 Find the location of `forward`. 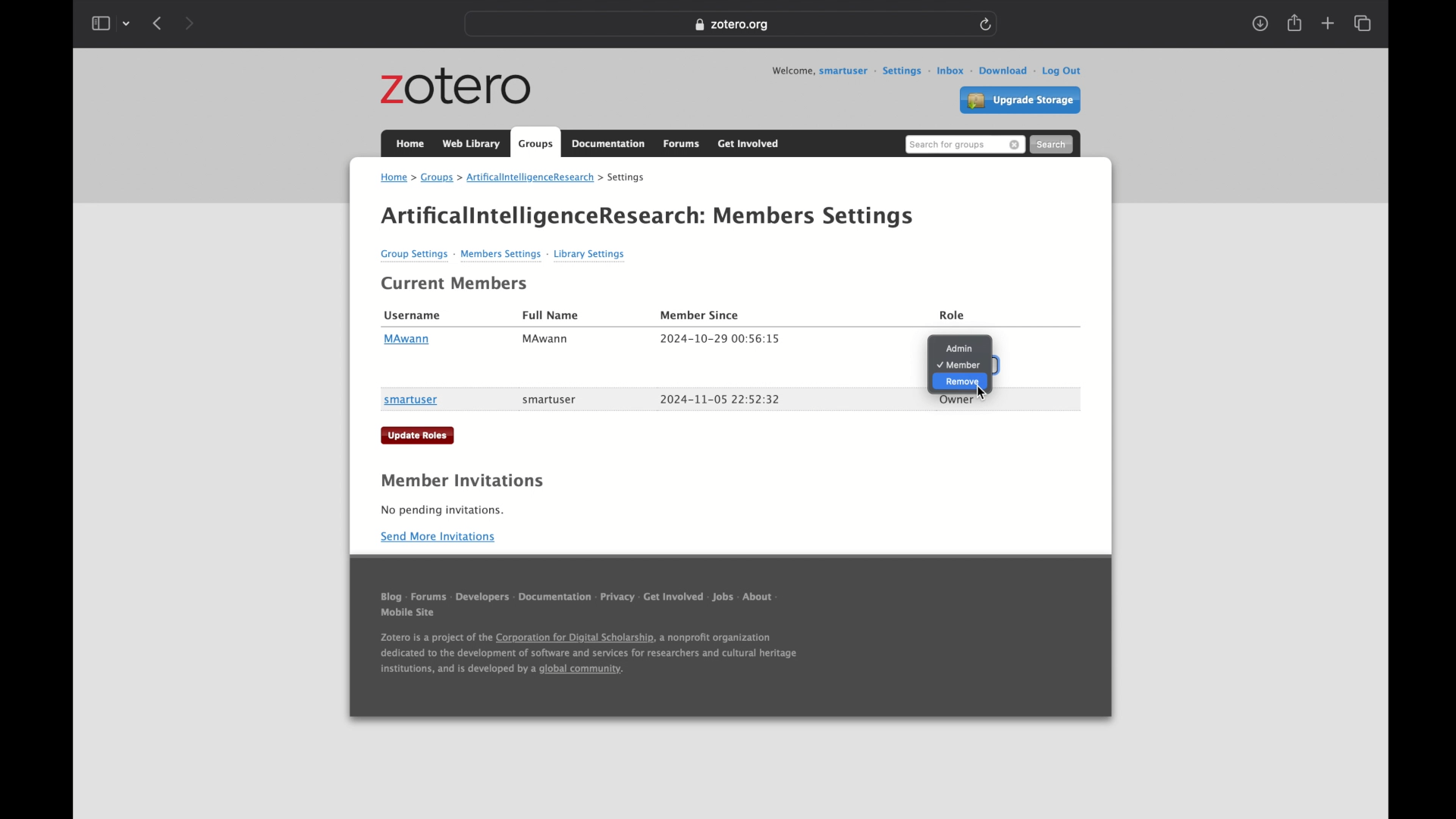

forward is located at coordinates (189, 24).